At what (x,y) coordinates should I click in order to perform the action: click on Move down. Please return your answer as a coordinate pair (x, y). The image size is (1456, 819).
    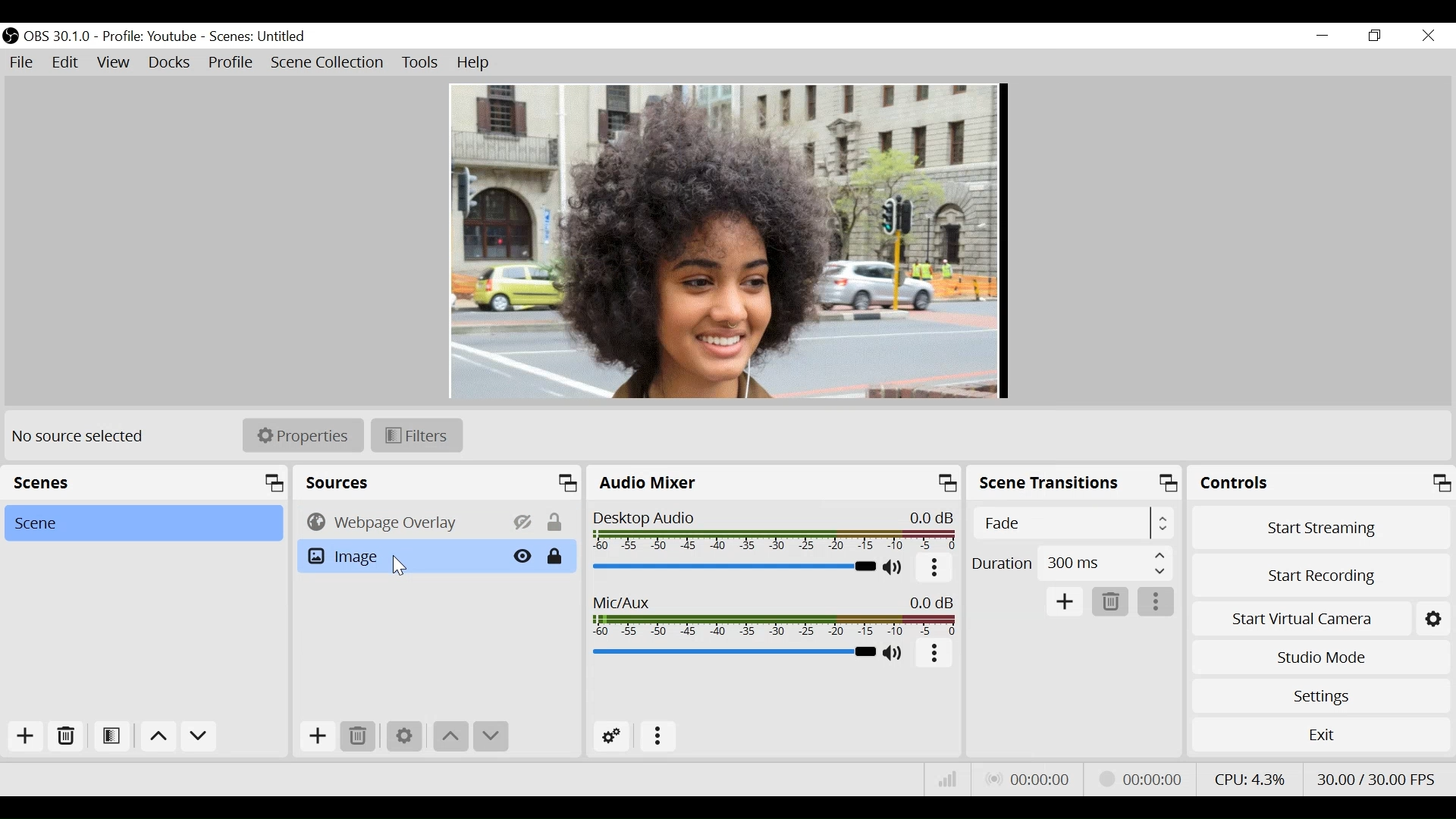
    Looking at the image, I should click on (199, 738).